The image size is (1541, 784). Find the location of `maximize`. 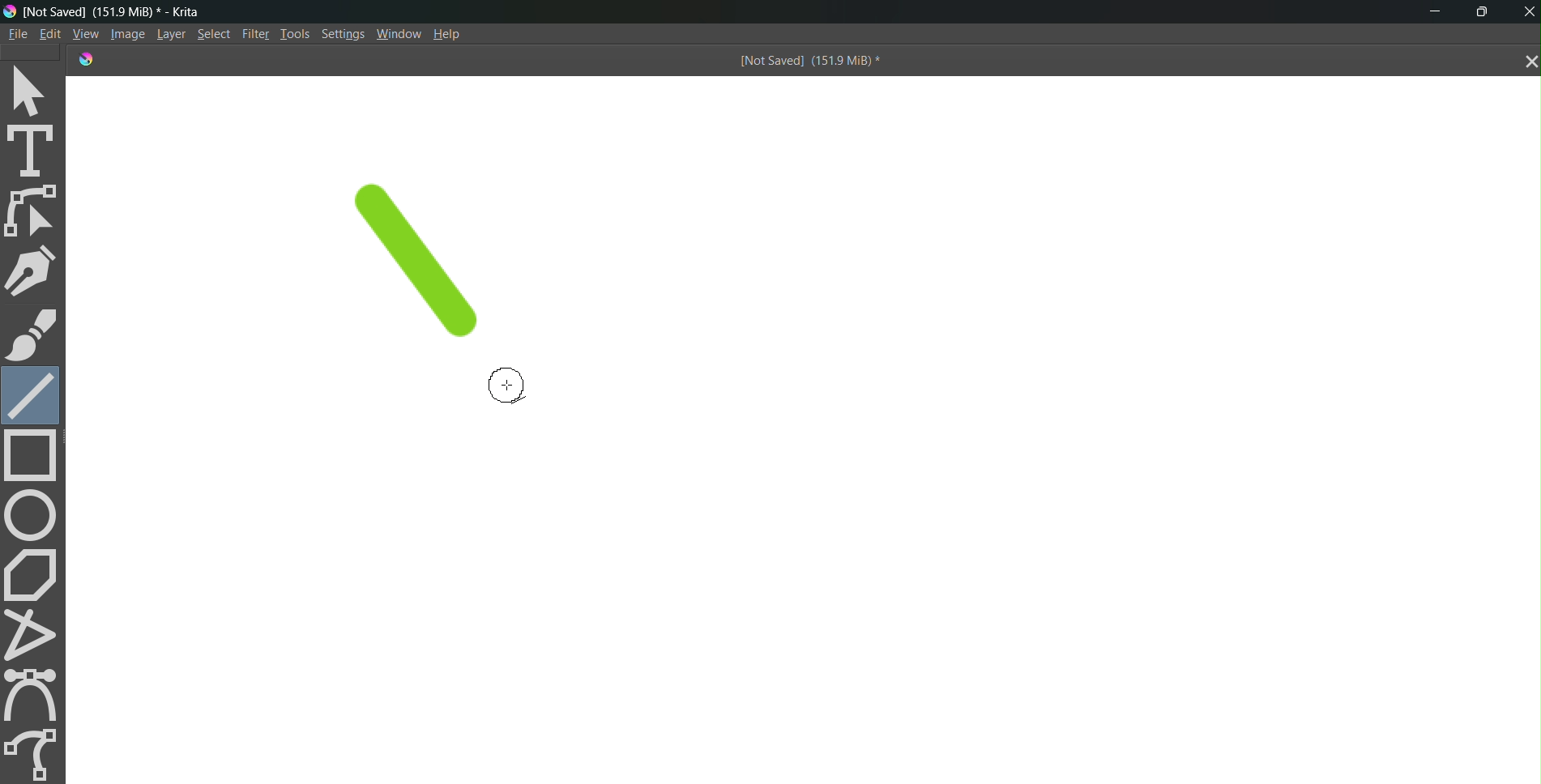

maximize is located at coordinates (1487, 10).